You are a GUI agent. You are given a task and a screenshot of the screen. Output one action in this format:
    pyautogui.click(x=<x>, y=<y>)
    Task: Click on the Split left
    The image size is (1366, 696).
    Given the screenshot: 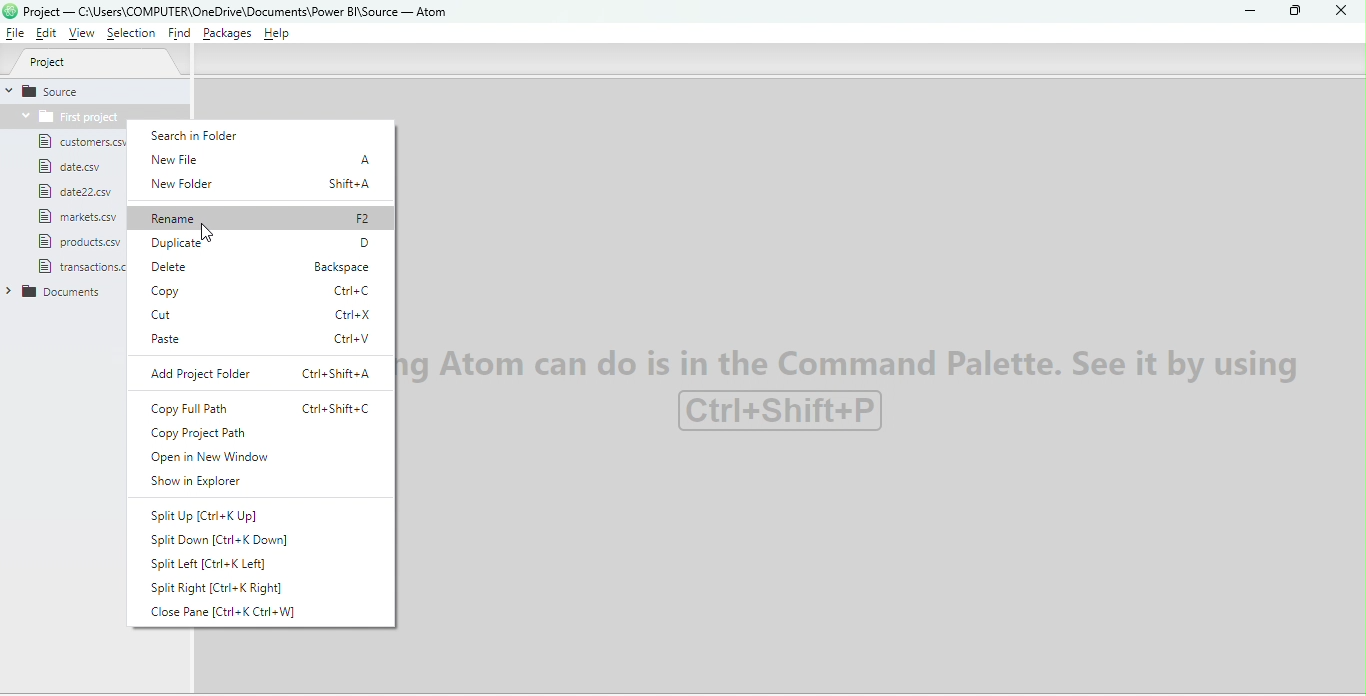 What is the action you would take?
    pyautogui.click(x=217, y=564)
    